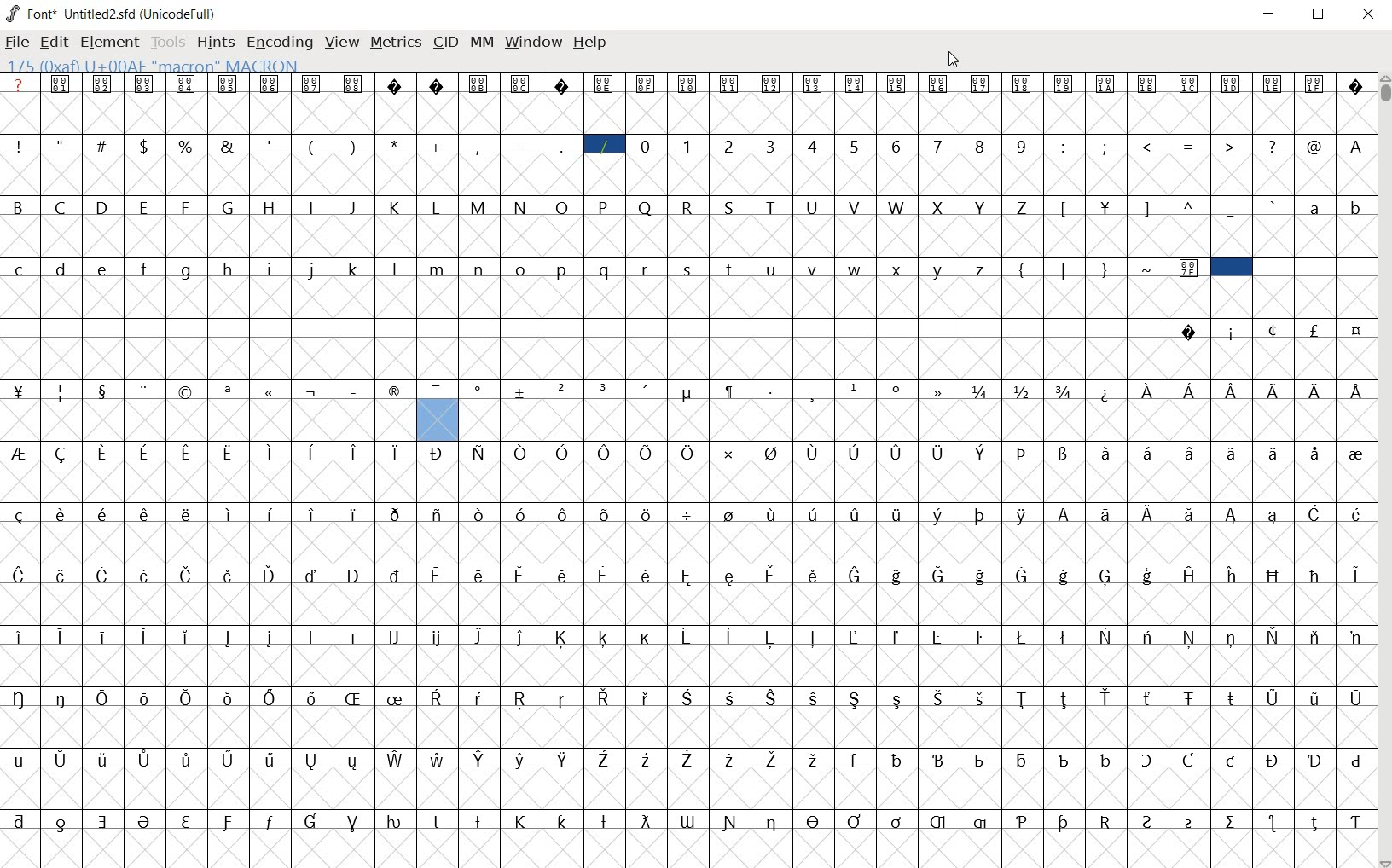  What do you see at coordinates (562, 207) in the screenshot?
I see `O` at bounding box center [562, 207].